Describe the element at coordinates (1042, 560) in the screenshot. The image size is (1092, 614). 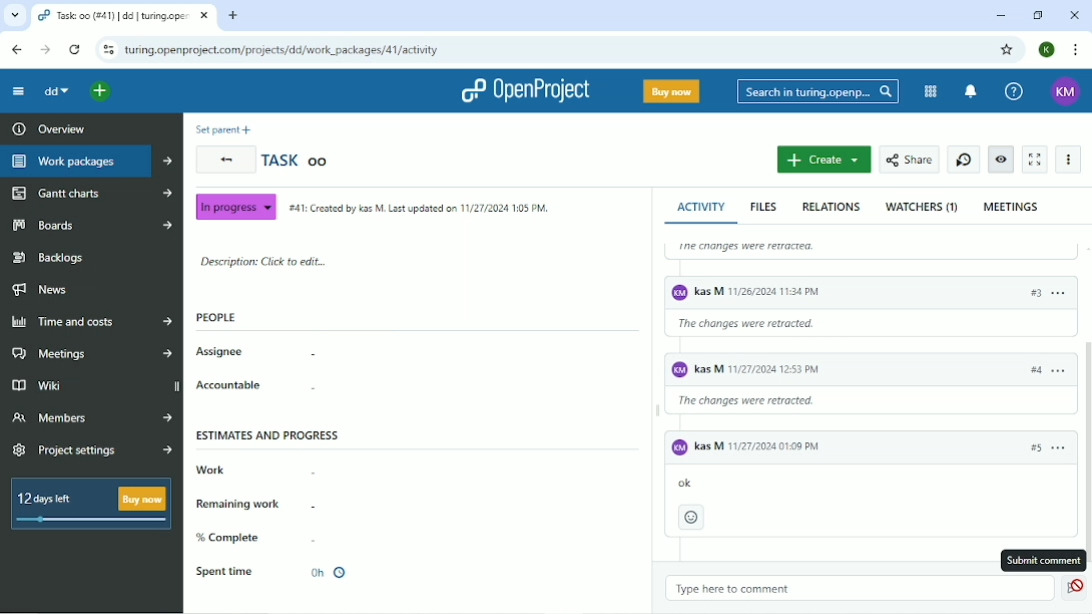
I see `Submit comment` at that location.